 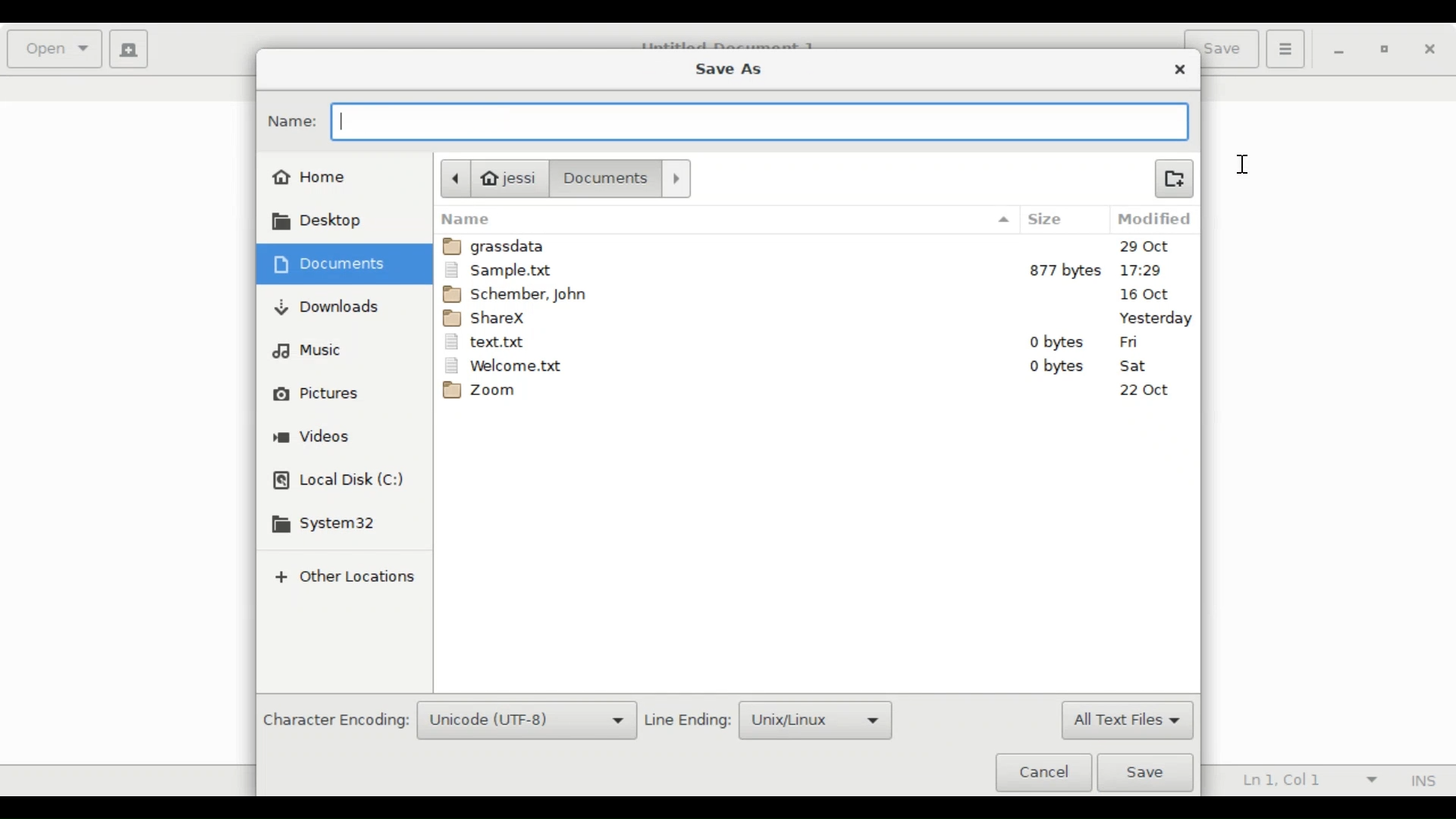 I want to click on Application menu, so click(x=1285, y=48).